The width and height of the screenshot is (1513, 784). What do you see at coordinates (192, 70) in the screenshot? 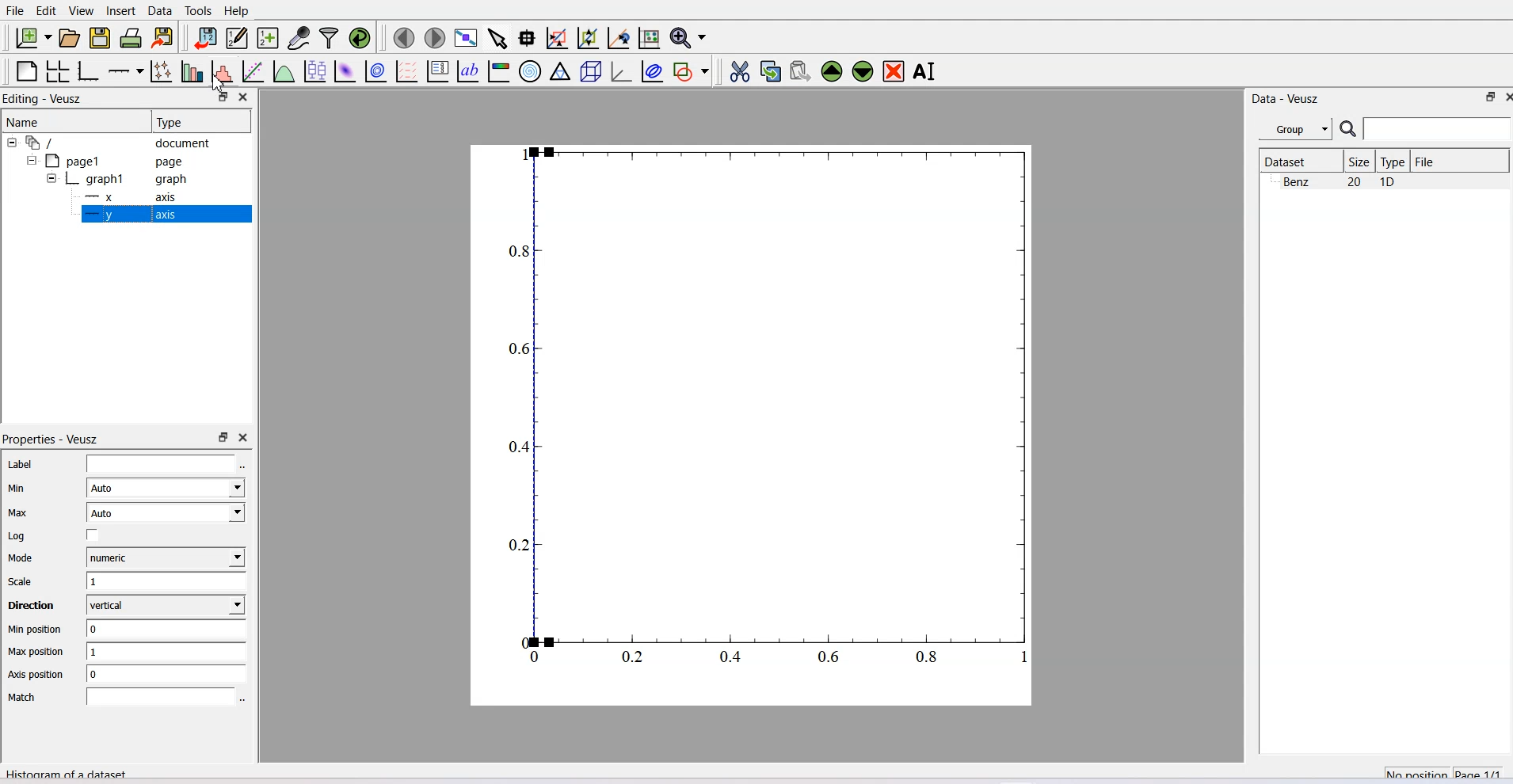
I see `Plot bar chart` at bounding box center [192, 70].